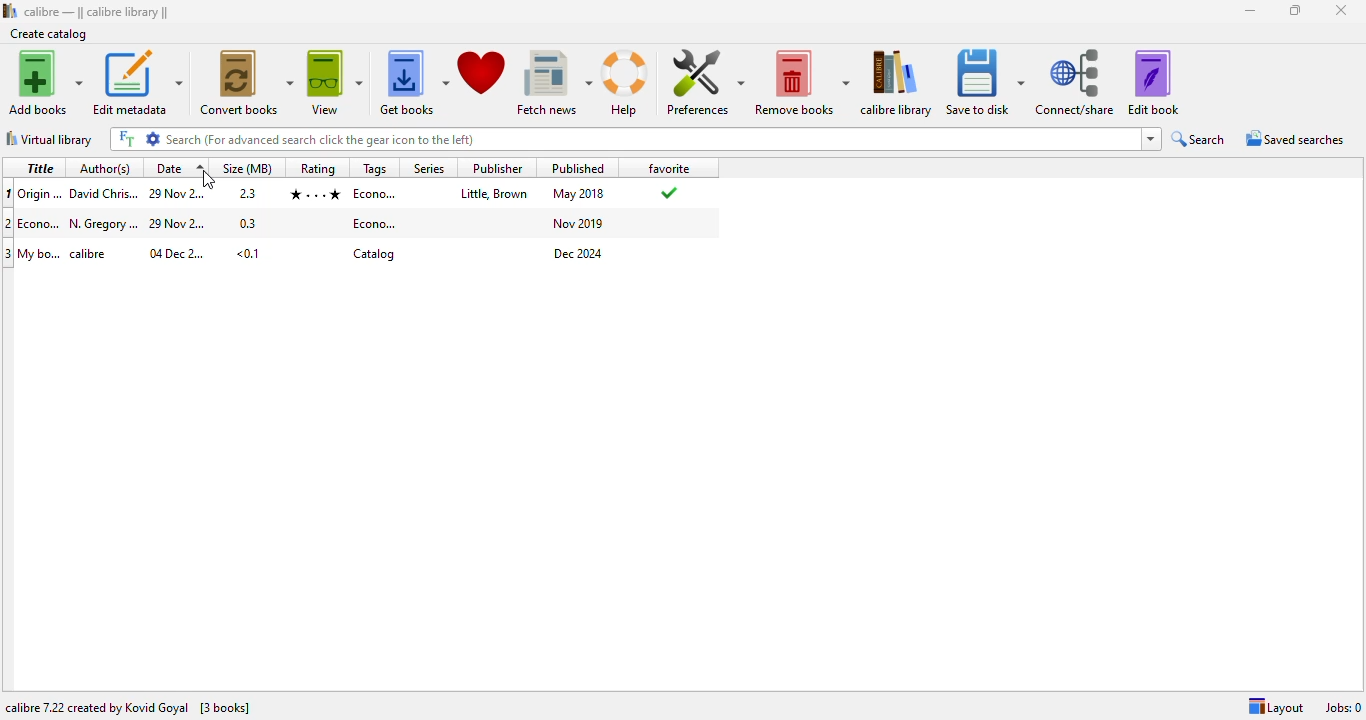 Image resolution: width=1366 pixels, height=720 pixels. I want to click on date, so click(176, 193).